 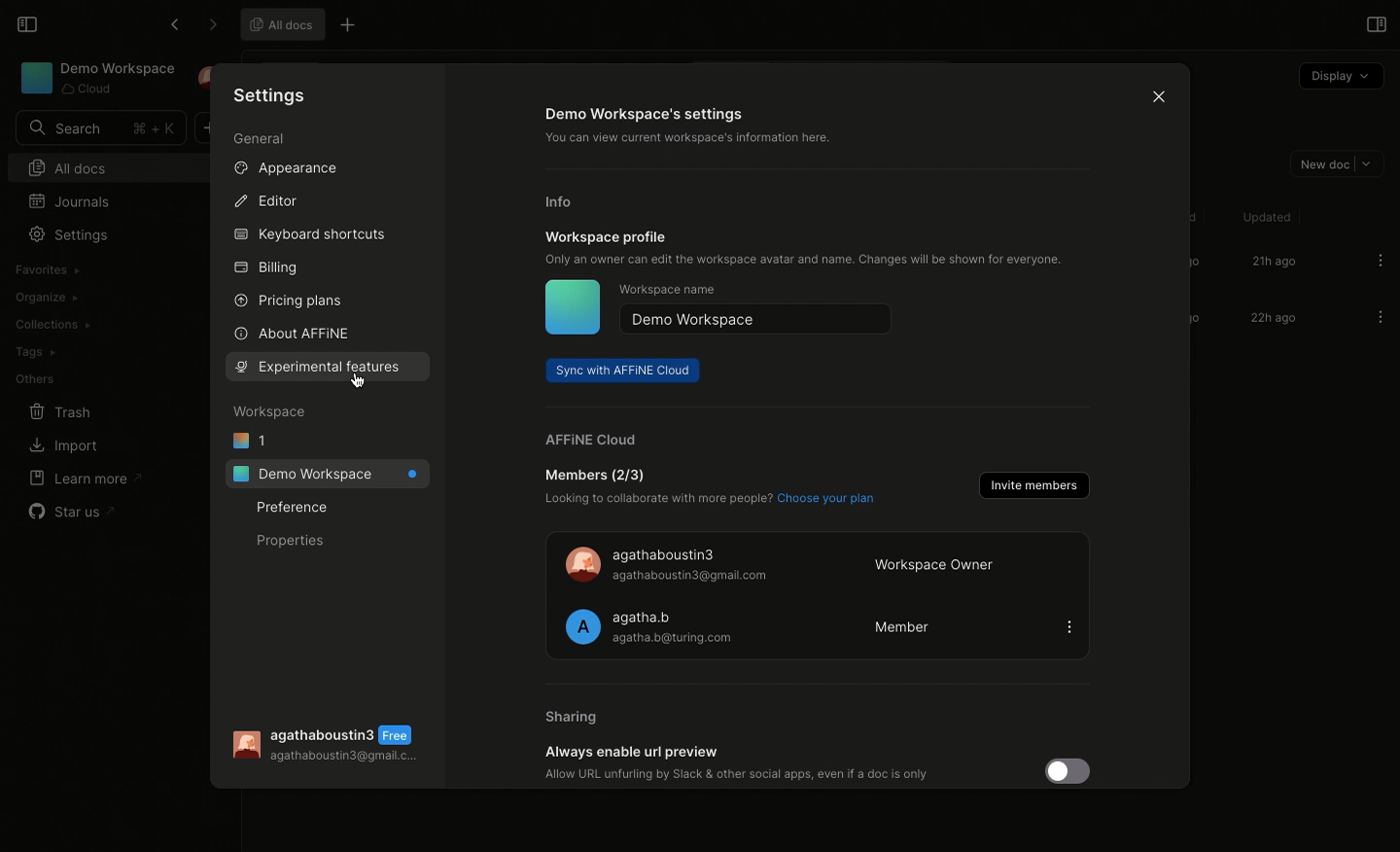 What do you see at coordinates (327, 474) in the screenshot?
I see `Demo workspace` at bounding box center [327, 474].